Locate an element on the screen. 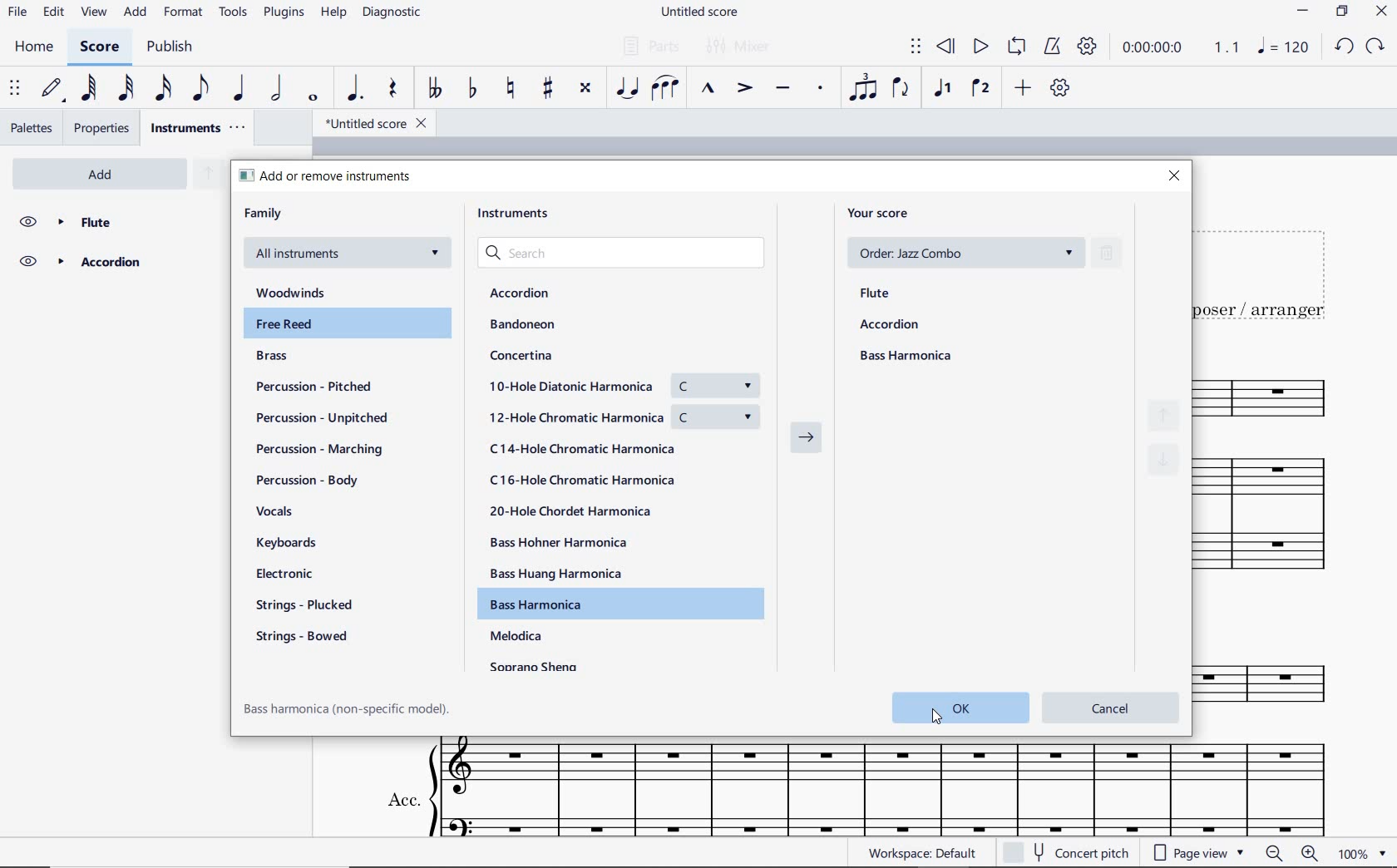 The width and height of the screenshot is (1397, 868). workspace: default is located at coordinates (920, 852).